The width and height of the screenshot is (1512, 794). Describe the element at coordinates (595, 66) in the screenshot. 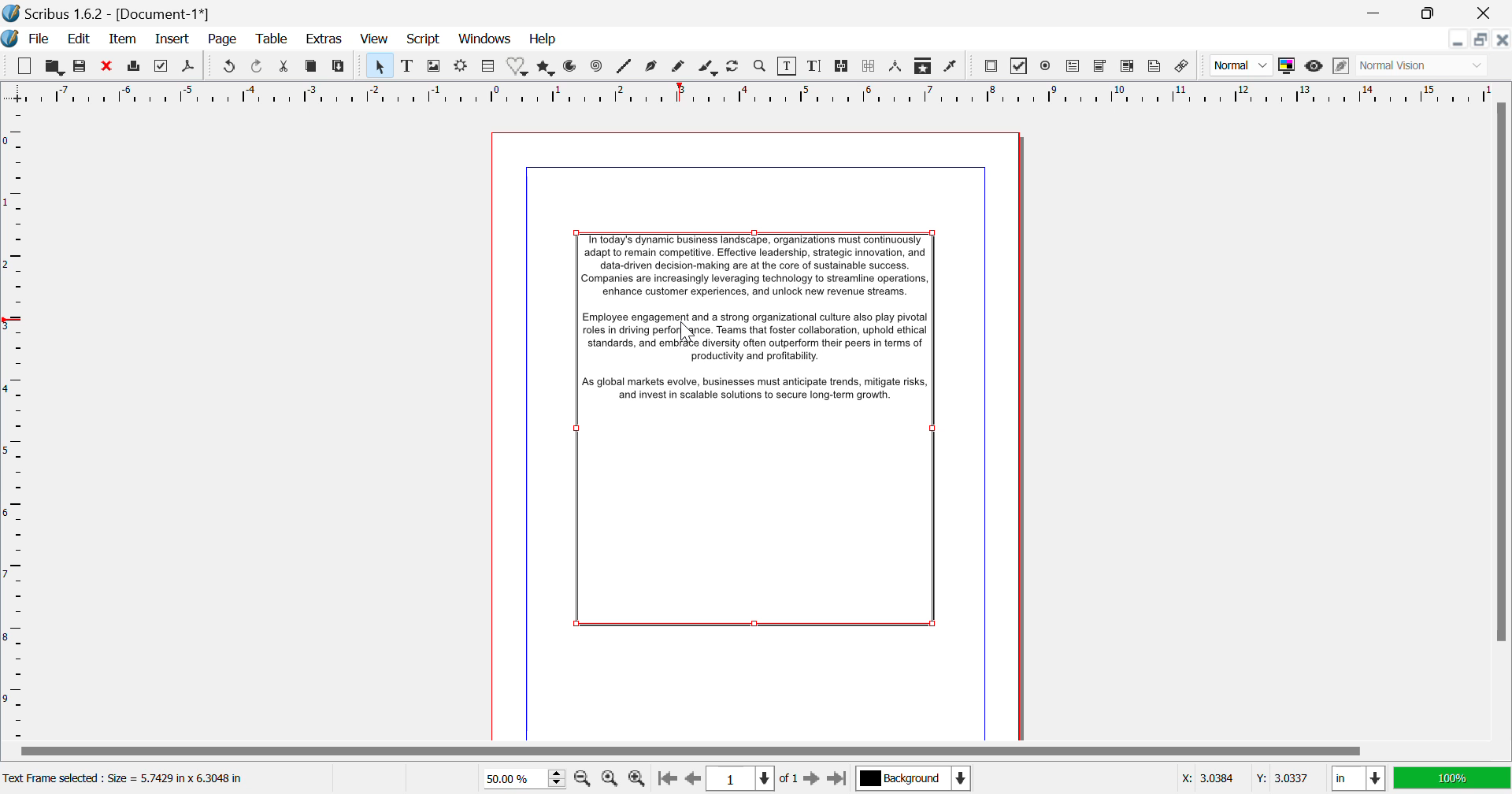

I see `Spiral` at that location.